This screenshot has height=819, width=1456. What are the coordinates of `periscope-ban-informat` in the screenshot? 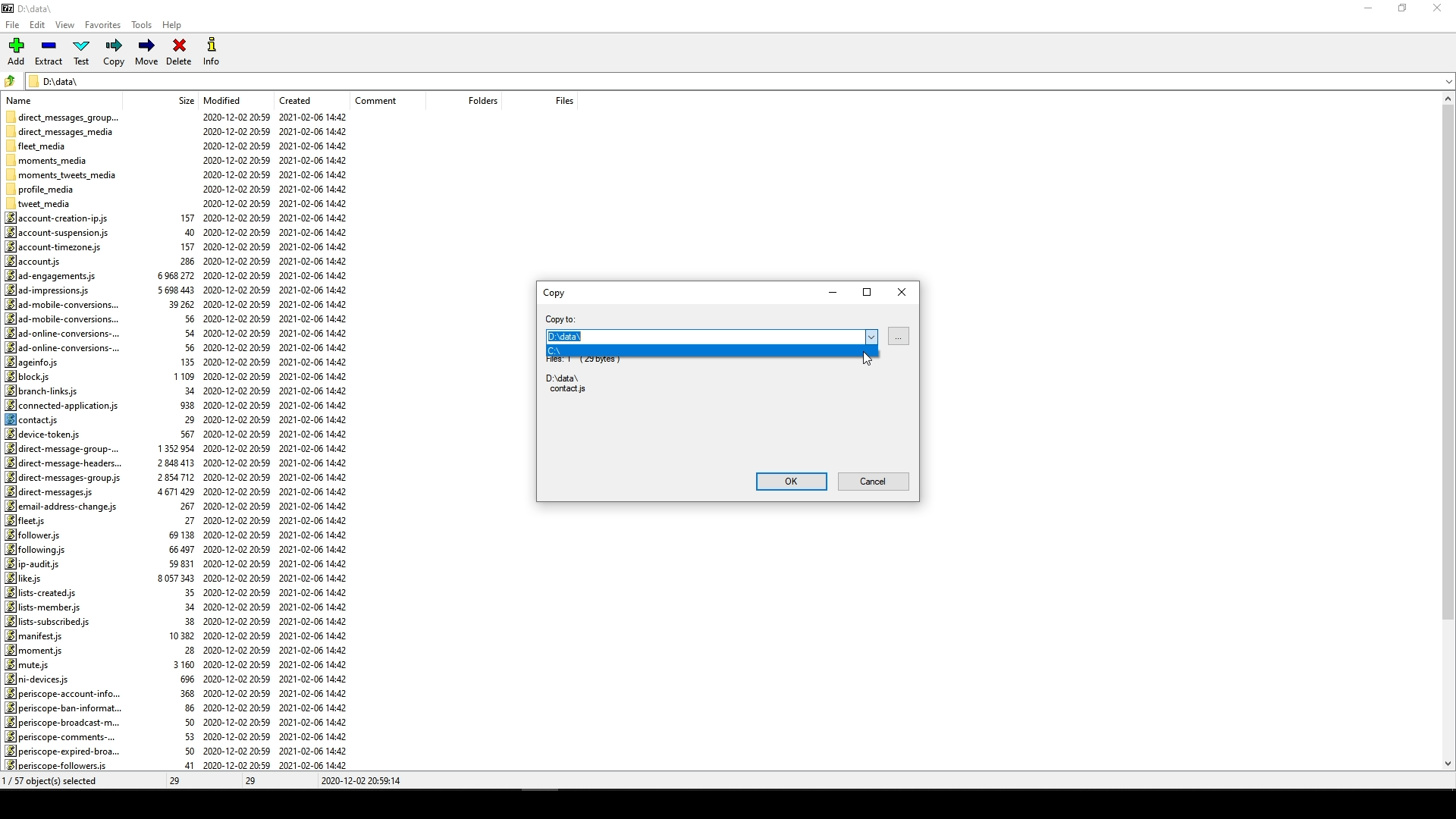 It's located at (69, 707).